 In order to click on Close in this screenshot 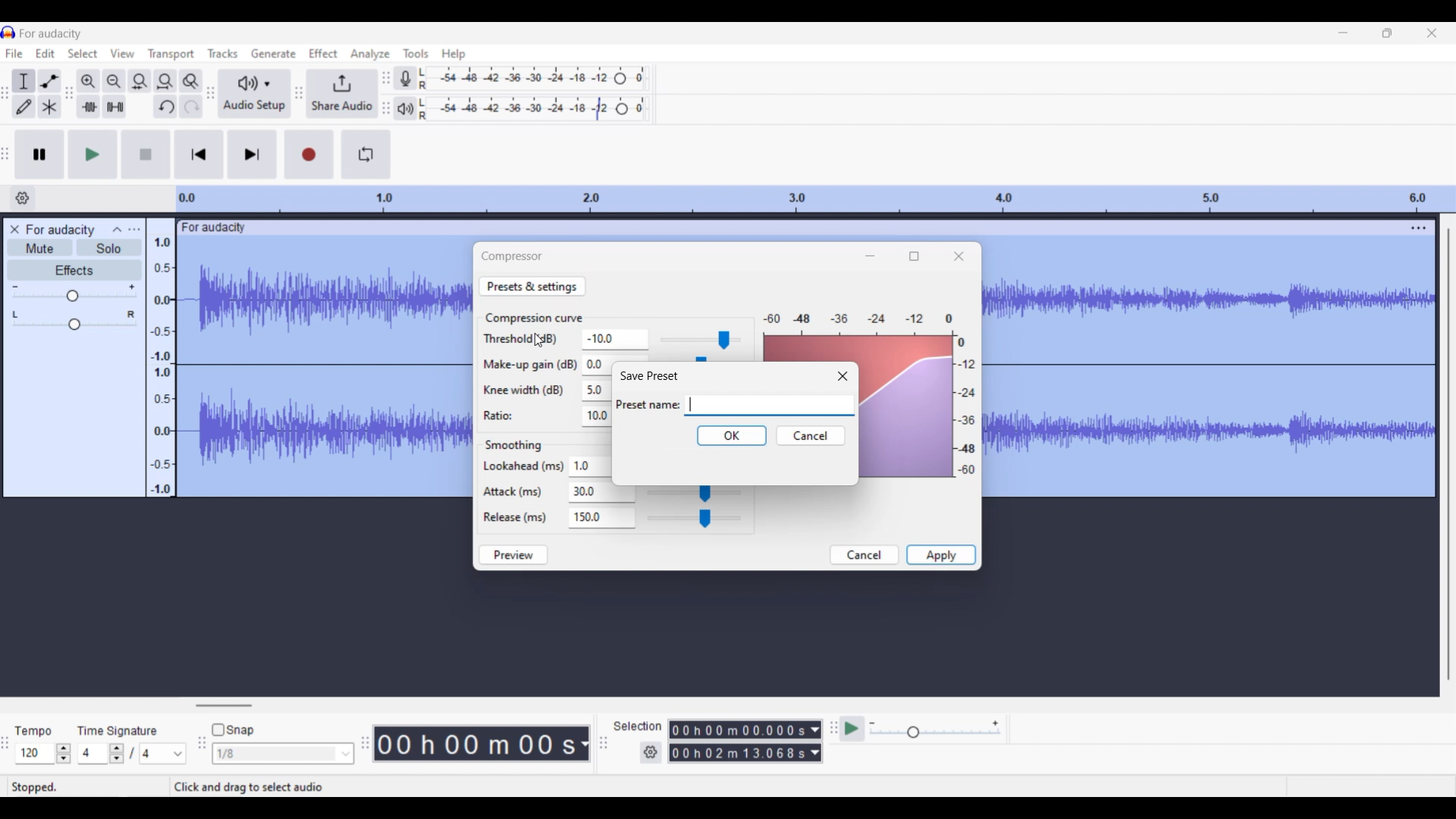, I will do `click(843, 376)`.